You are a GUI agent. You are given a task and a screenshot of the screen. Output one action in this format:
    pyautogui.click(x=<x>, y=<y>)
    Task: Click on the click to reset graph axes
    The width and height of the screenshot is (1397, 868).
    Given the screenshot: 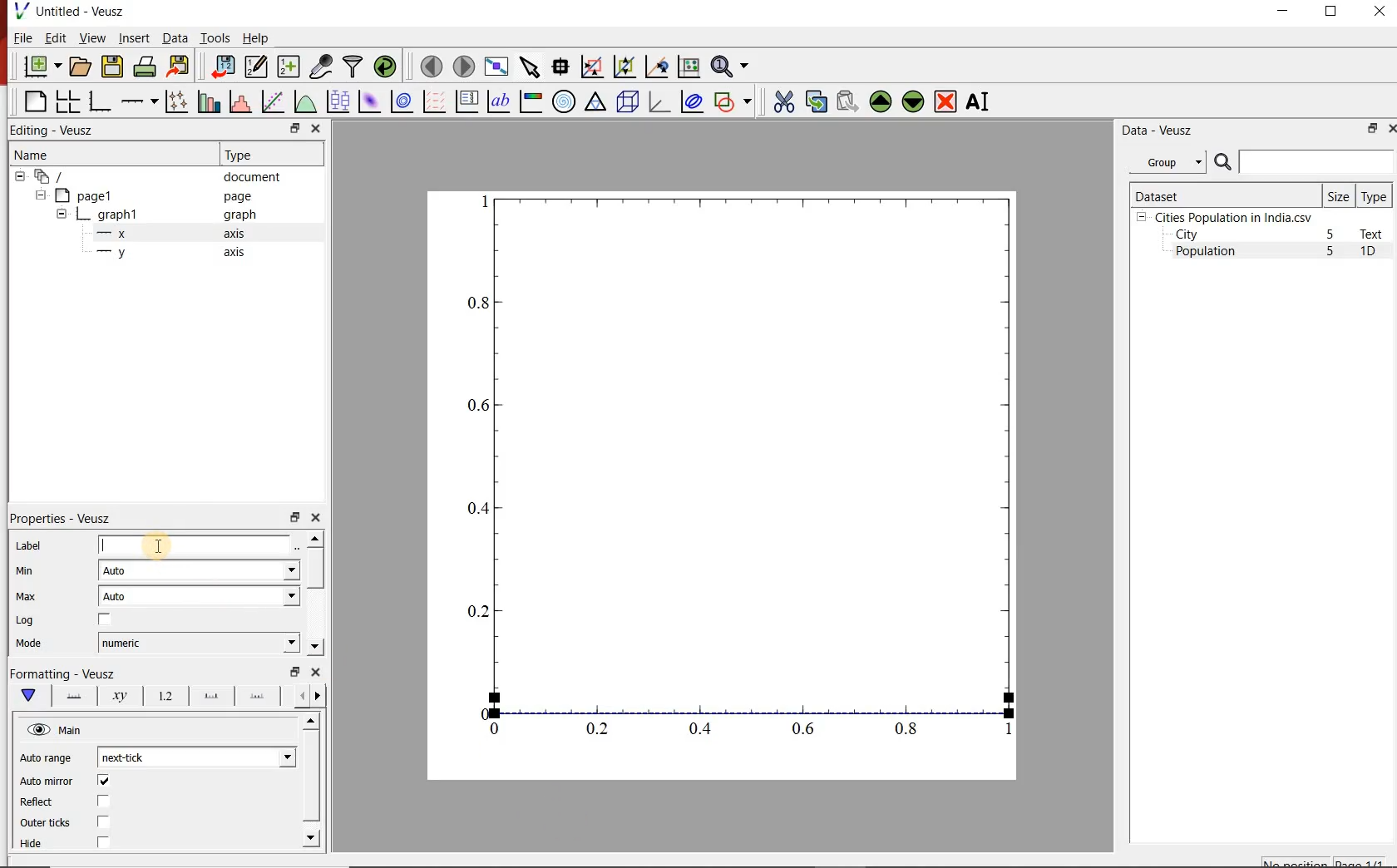 What is the action you would take?
    pyautogui.click(x=689, y=66)
    